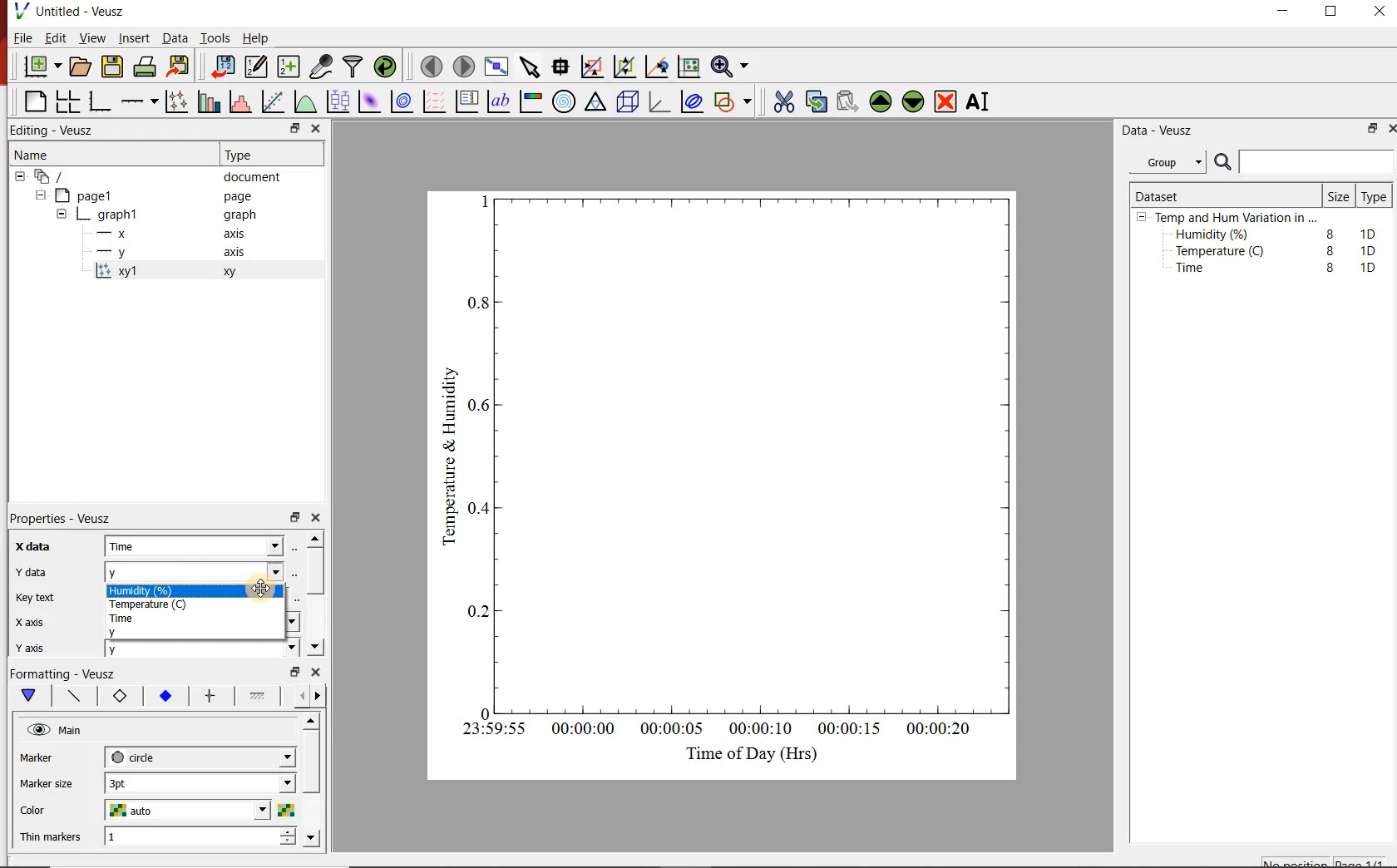 The height and width of the screenshot is (868, 1397). What do you see at coordinates (981, 101) in the screenshot?
I see `Rename the selected widget` at bounding box center [981, 101].